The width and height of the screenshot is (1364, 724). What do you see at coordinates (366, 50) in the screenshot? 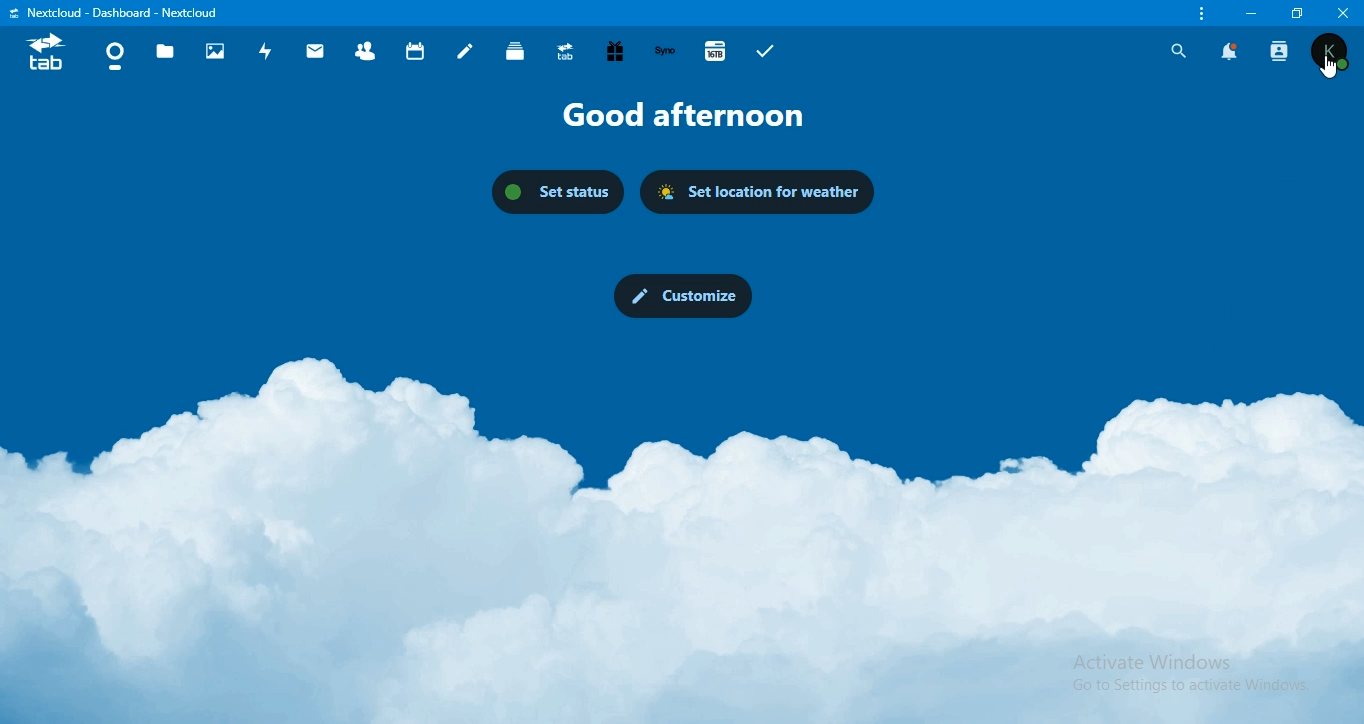
I see `contact` at bounding box center [366, 50].